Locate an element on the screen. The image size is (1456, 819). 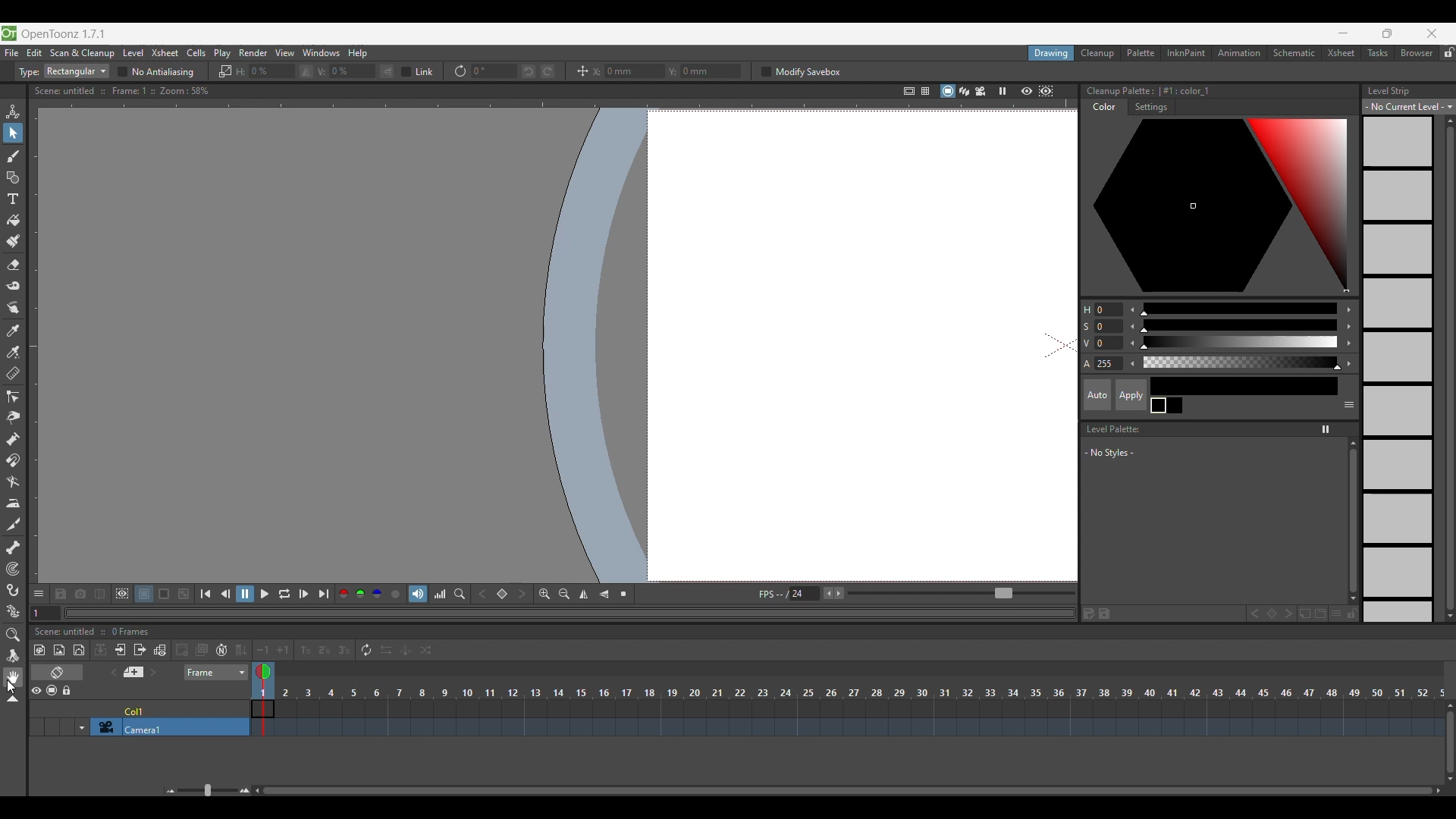
Set key is located at coordinates (1268, 613).